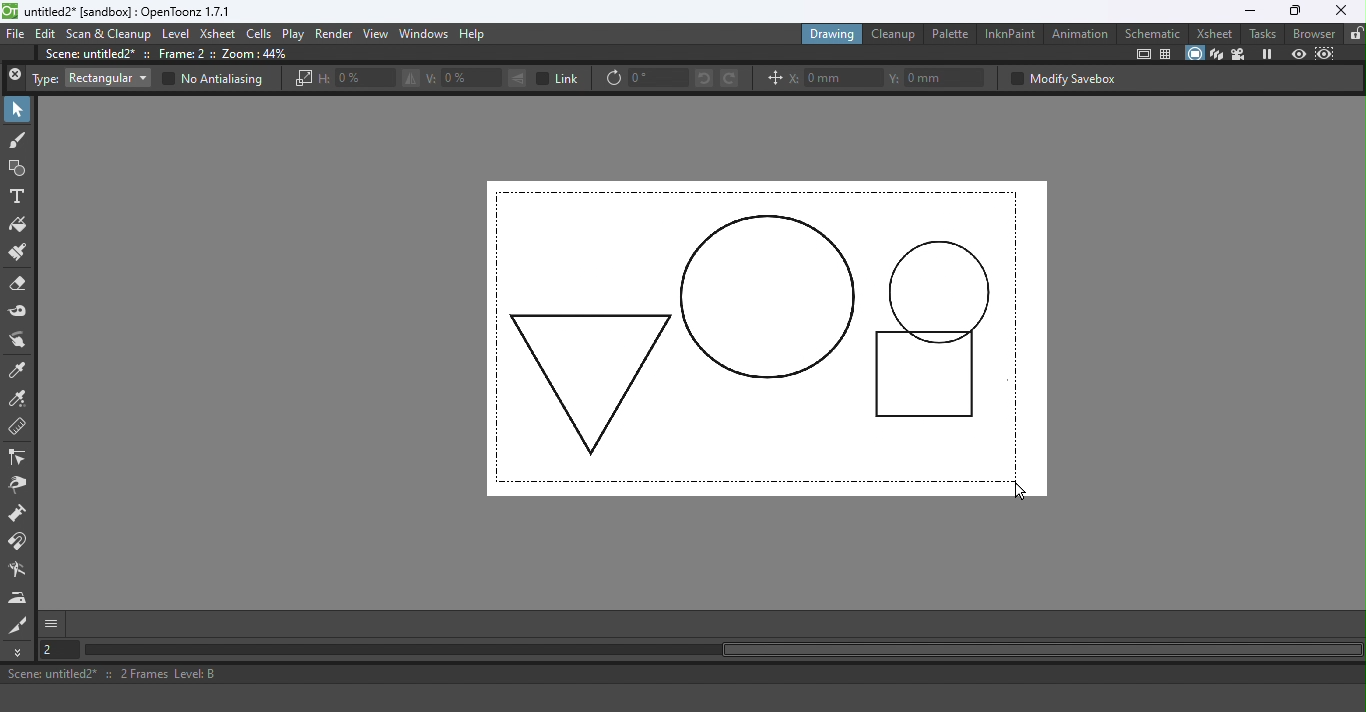 This screenshot has height=712, width=1366. What do you see at coordinates (22, 284) in the screenshot?
I see `Eraser tool` at bounding box center [22, 284].